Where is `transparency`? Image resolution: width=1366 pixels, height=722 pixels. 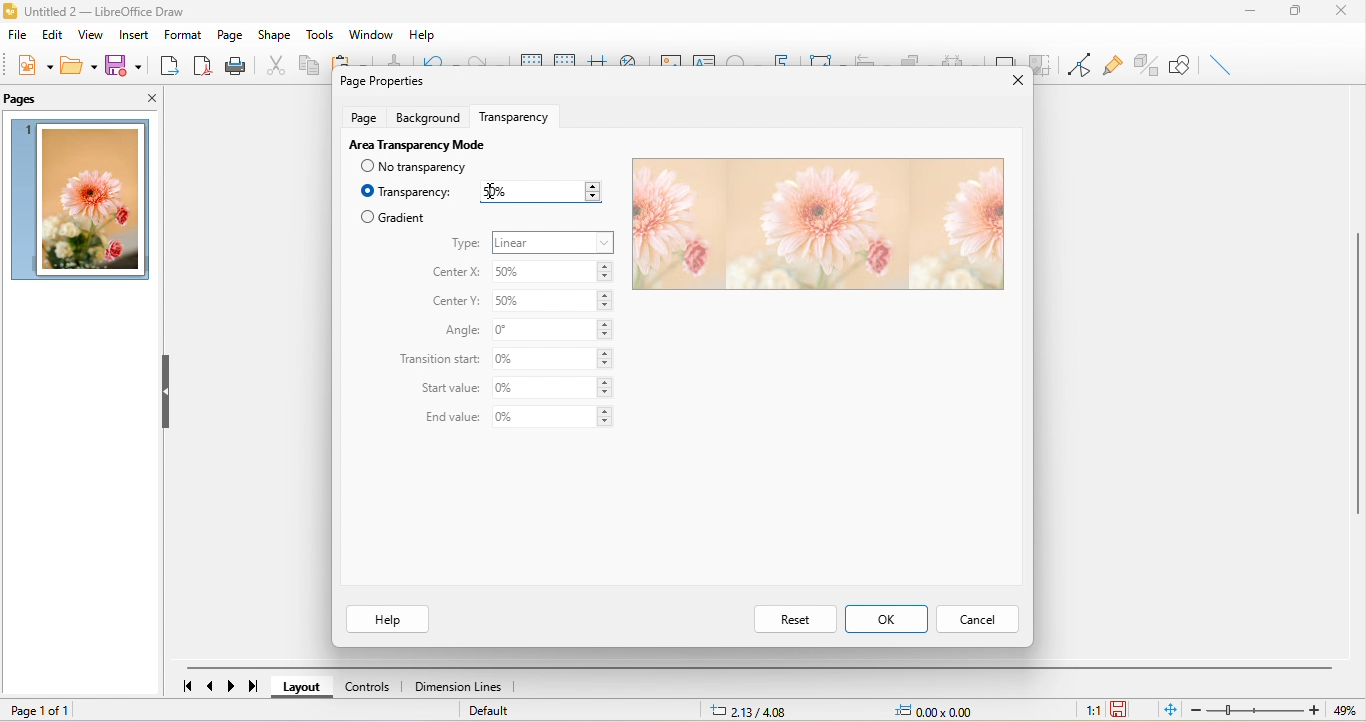 transparency is located at coordinates (407, 192).